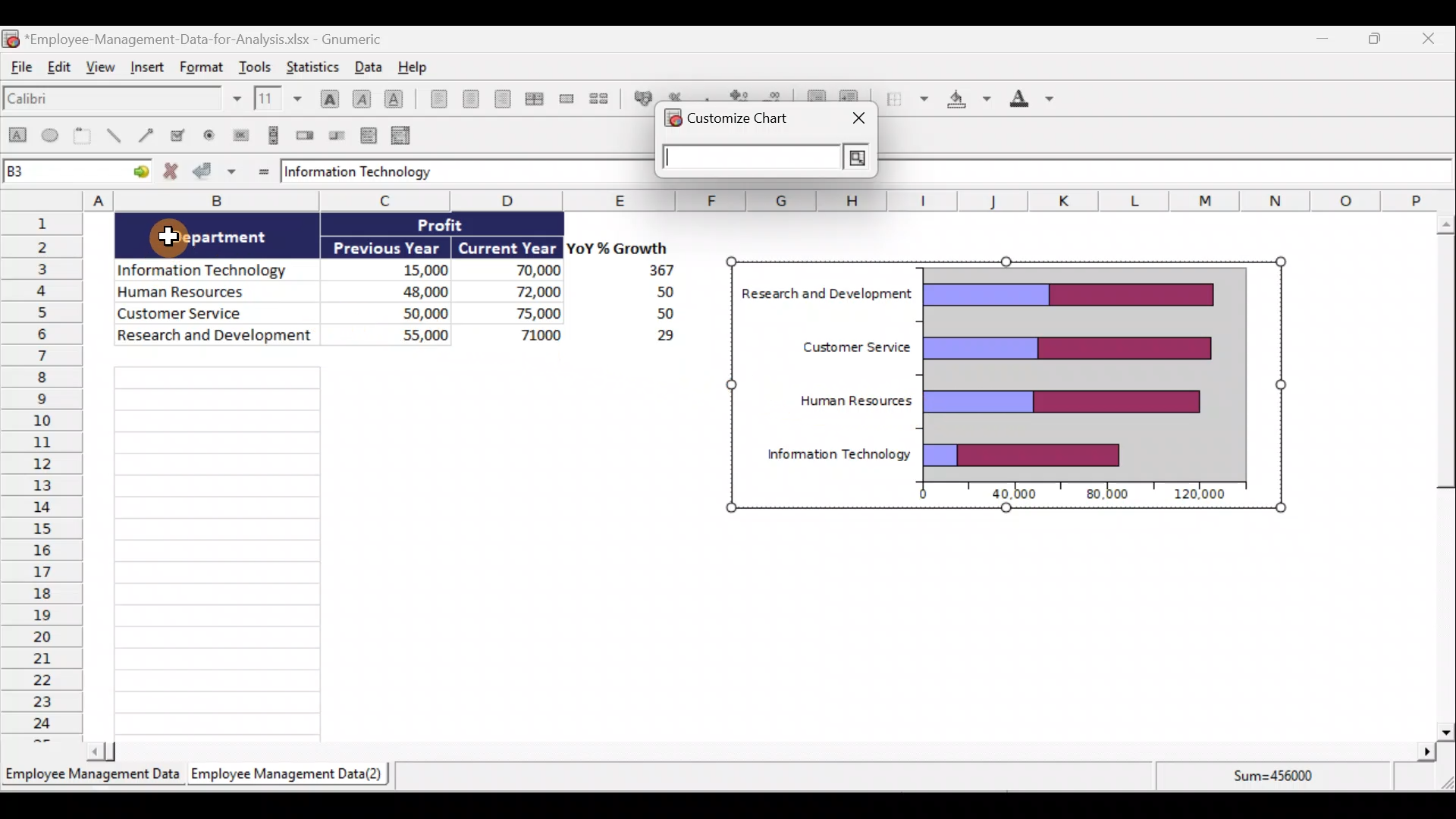 The width and height of the screenshot is (1456, 819). What do you see at coordinates (761, 751) in the screenshot?
I see `Scroll bar` at bounding box center [761, 751].